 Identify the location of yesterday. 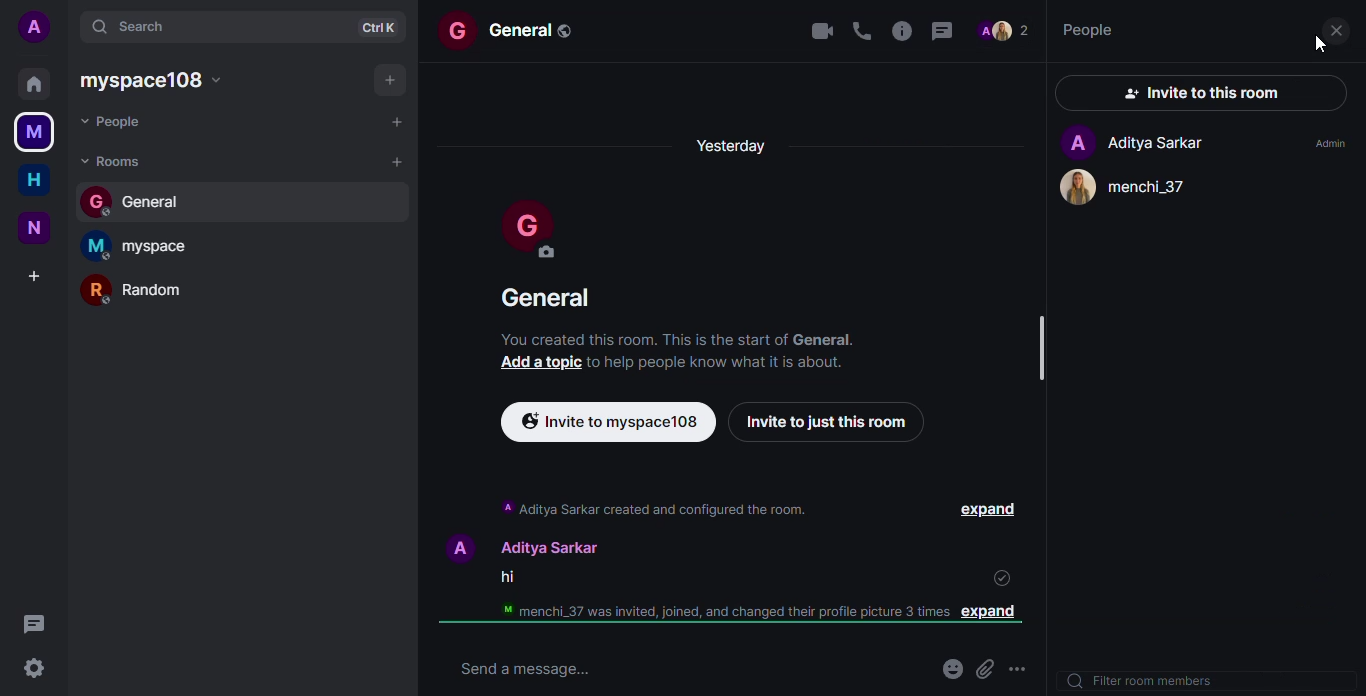
(738, 152).